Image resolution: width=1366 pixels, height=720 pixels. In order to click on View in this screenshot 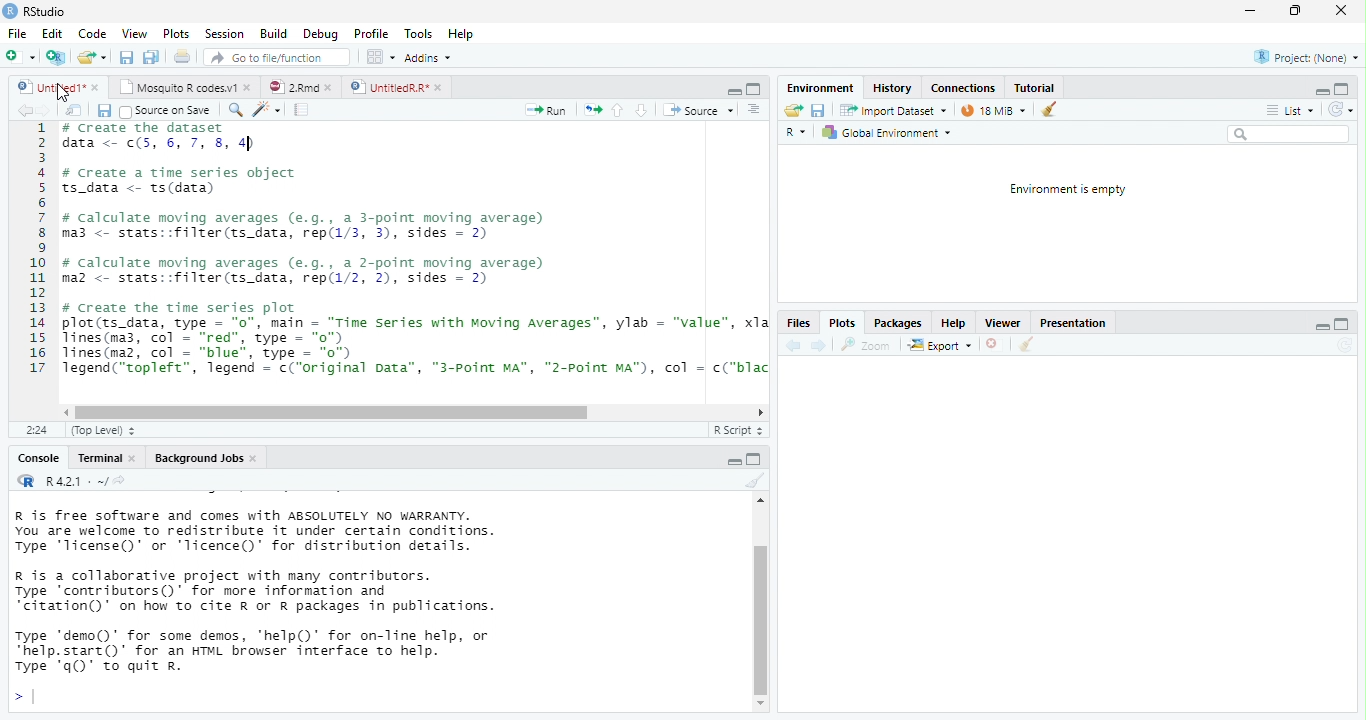, I will do `click(133, 33)`.